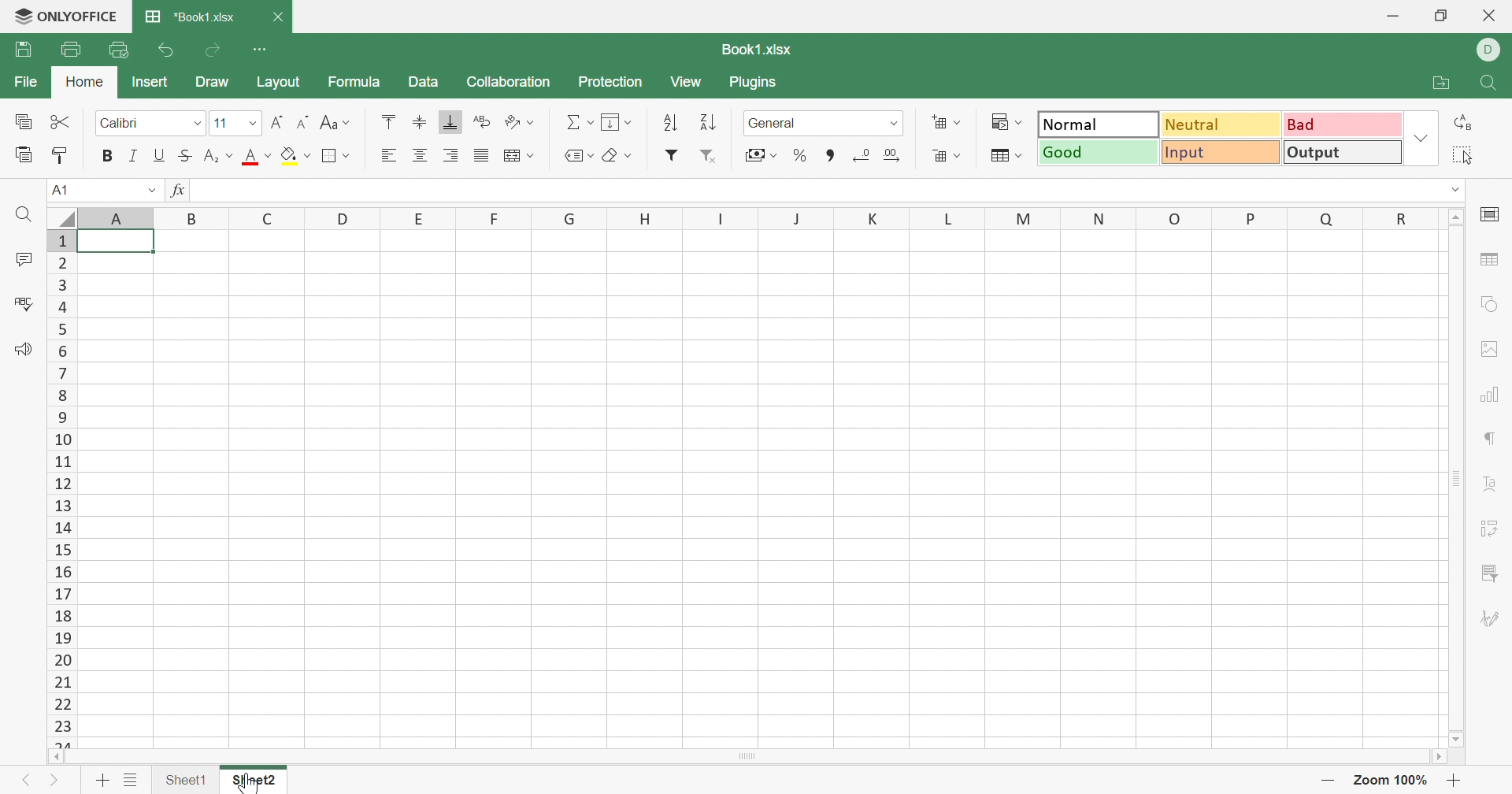 This screenshot has width=1512, height=794. Describe the element at coordinates (390, 122) in the screenshot. I see `Align Top` at that location.